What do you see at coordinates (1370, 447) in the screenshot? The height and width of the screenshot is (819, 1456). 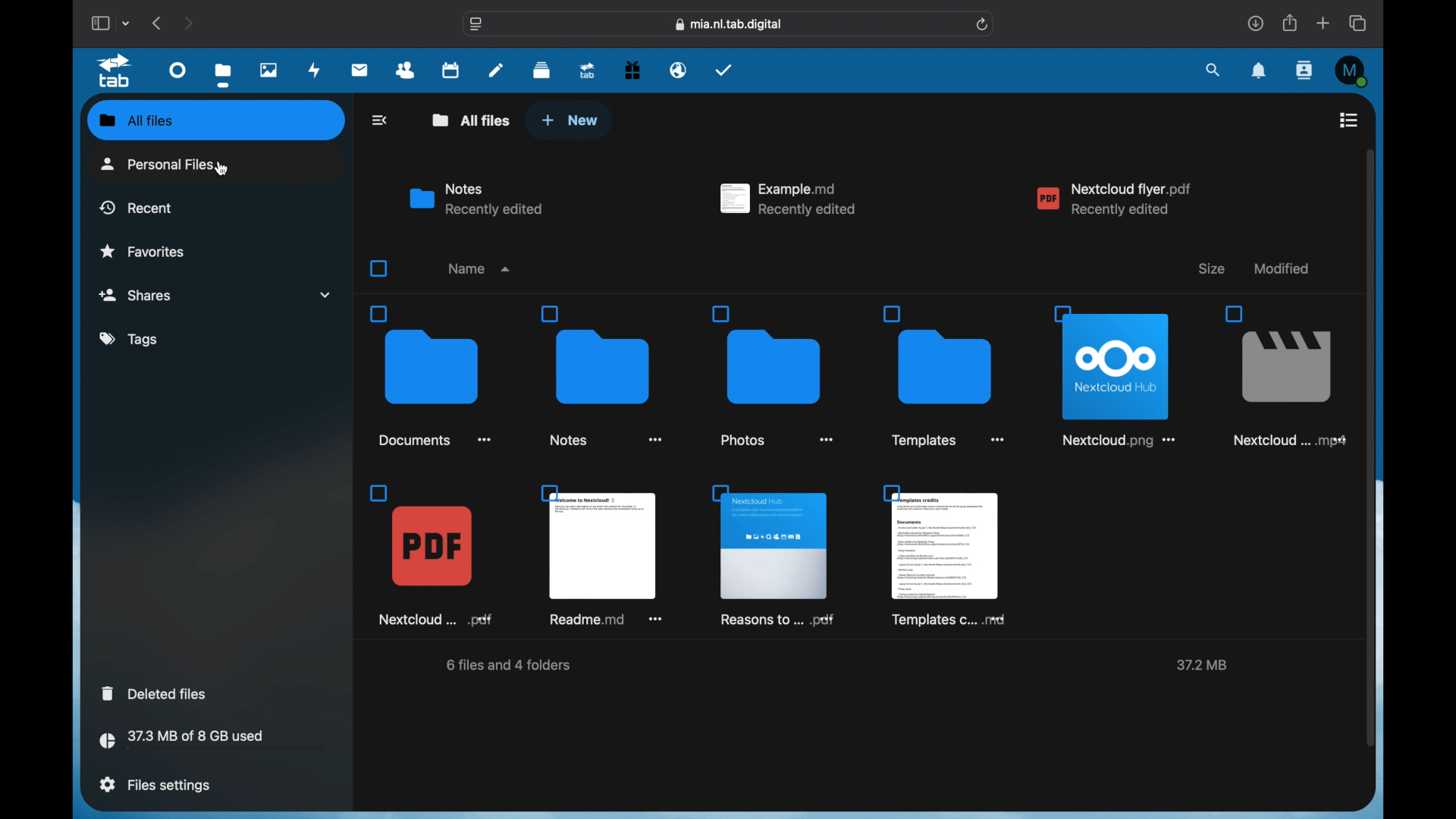 I see `scroll box` at bounding box center [1370, 447].